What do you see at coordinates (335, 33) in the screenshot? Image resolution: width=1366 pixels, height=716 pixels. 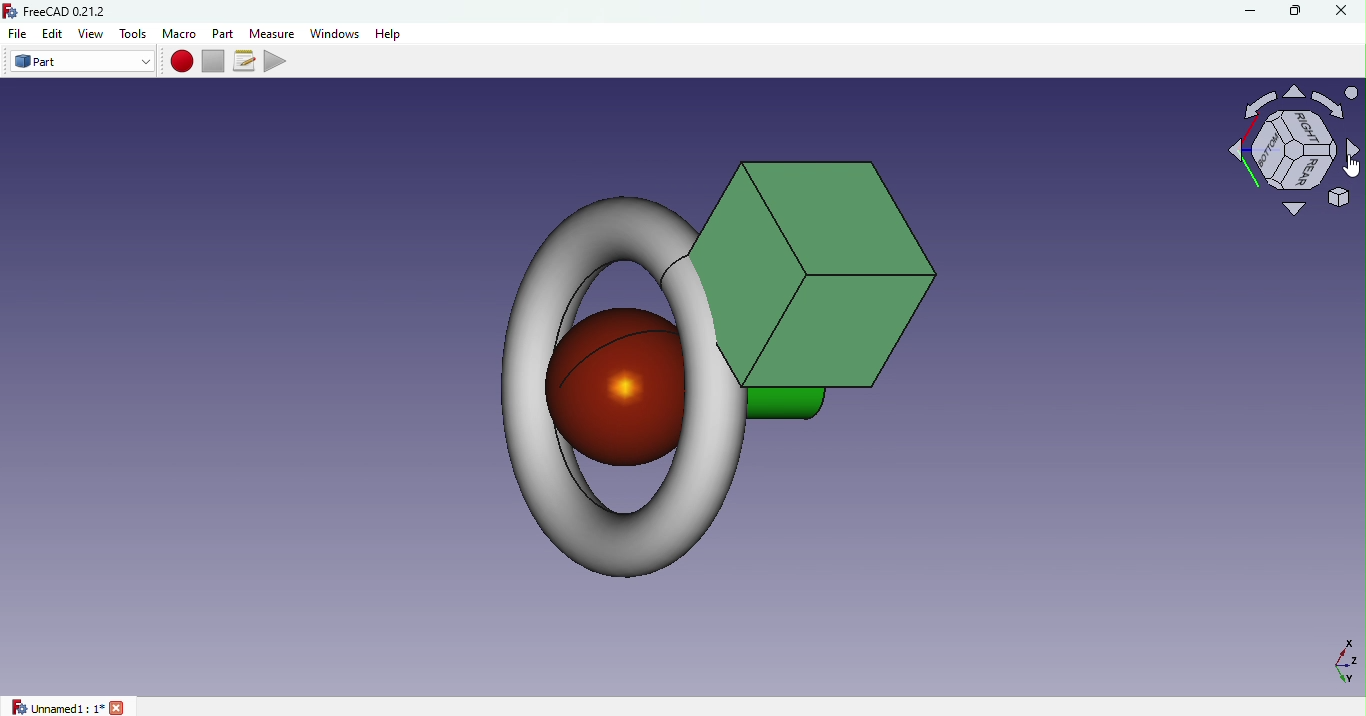 I see `Windows` at bounding box center [335, 33].